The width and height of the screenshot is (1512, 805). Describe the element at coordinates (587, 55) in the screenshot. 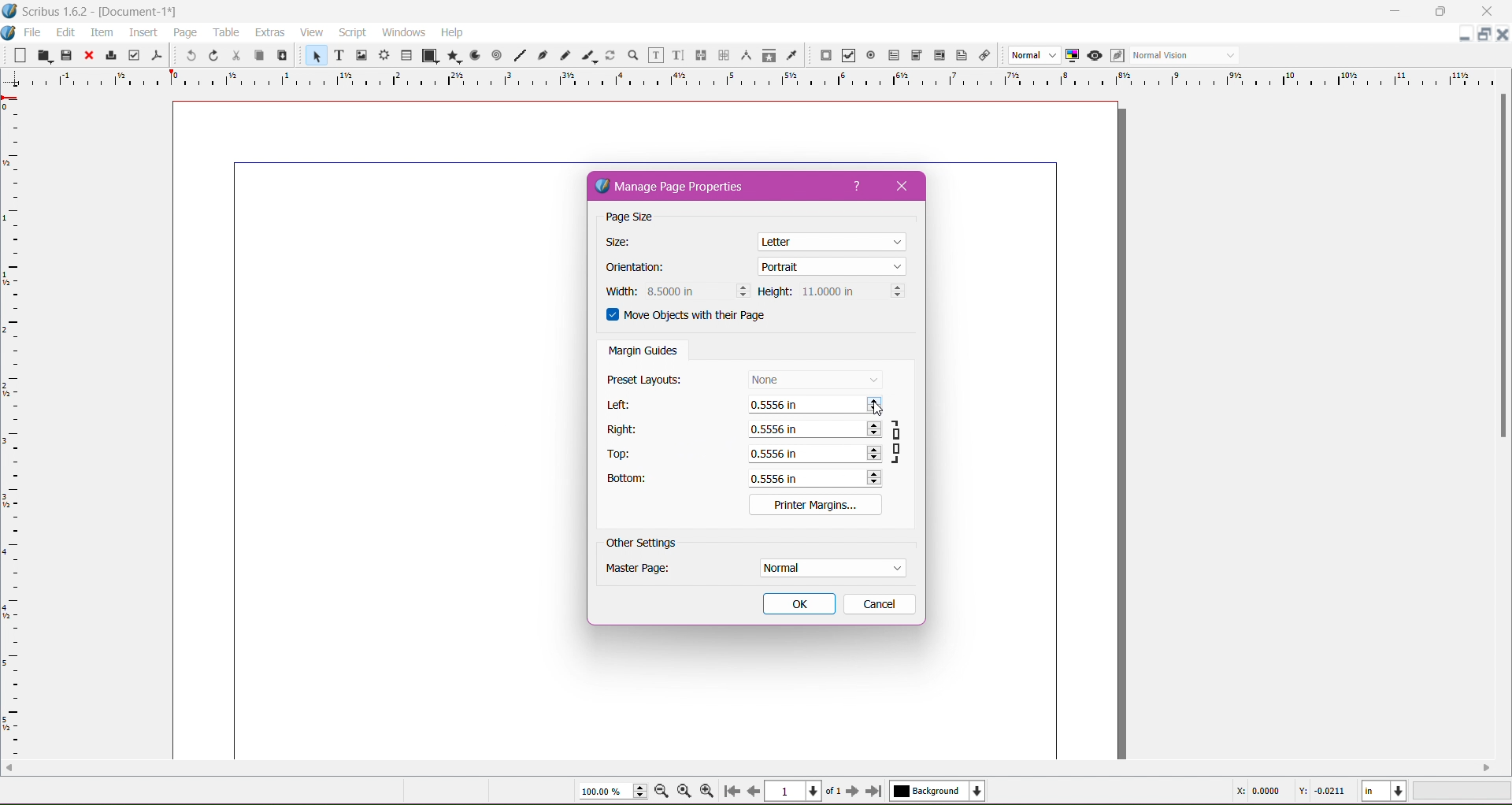

I see `Calligraphic Line` at that location.